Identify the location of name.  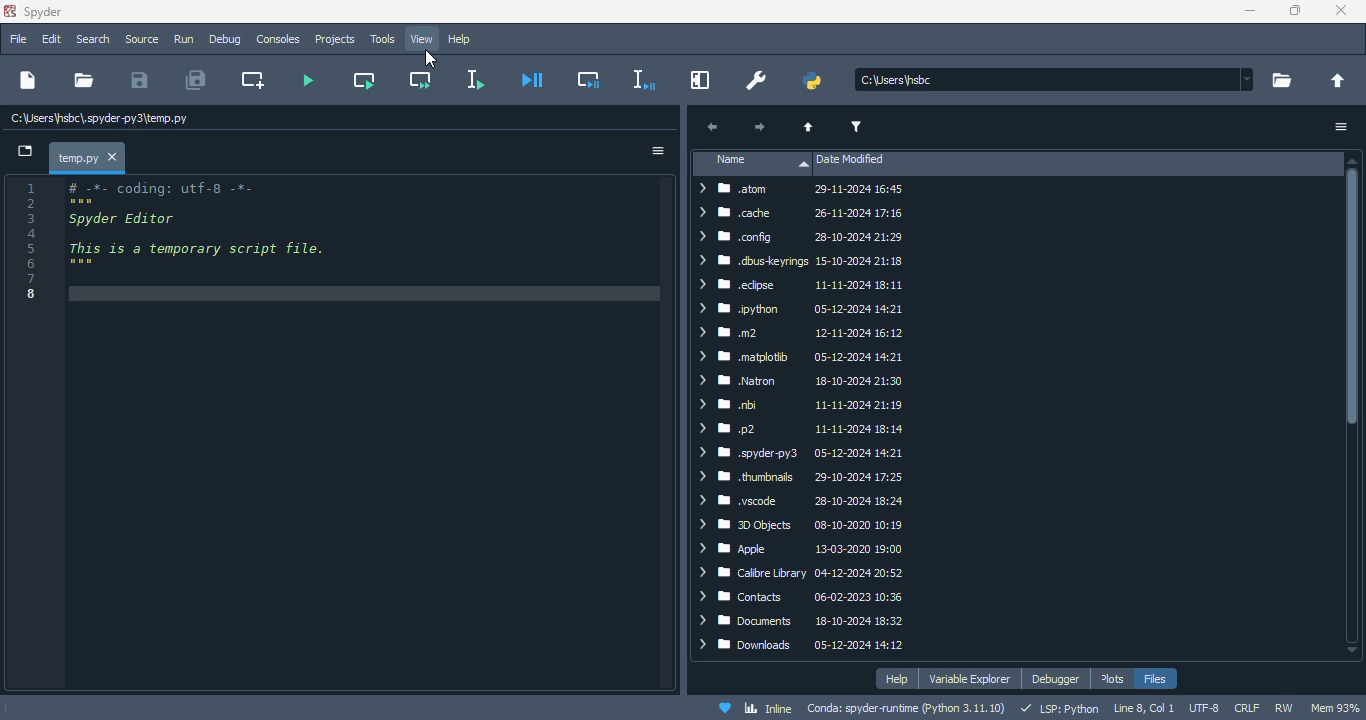
(755, 163).